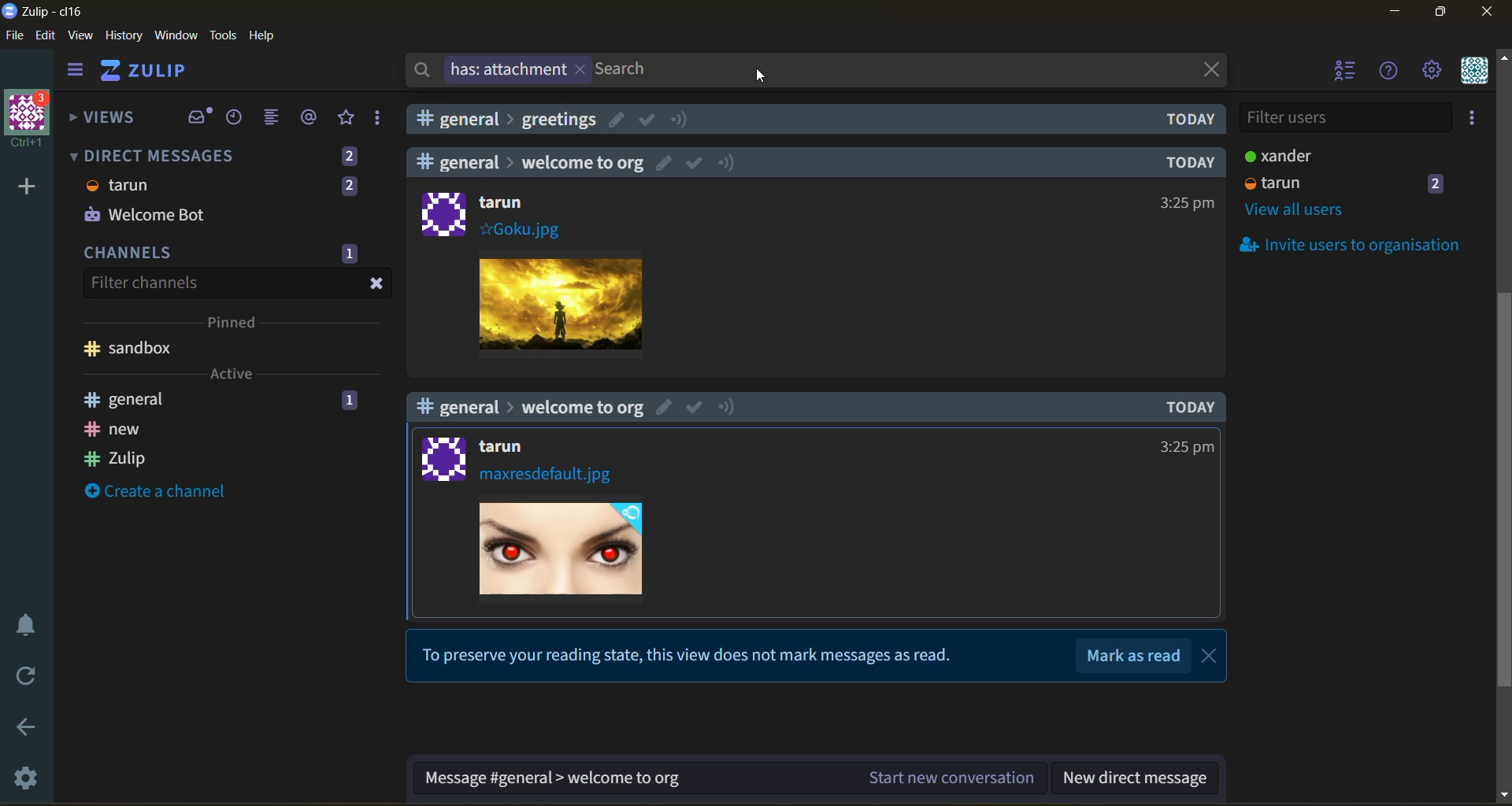  Describe the element at coordinates (31, 623) in the screenshot. I see `enable do not disturb` at that location.